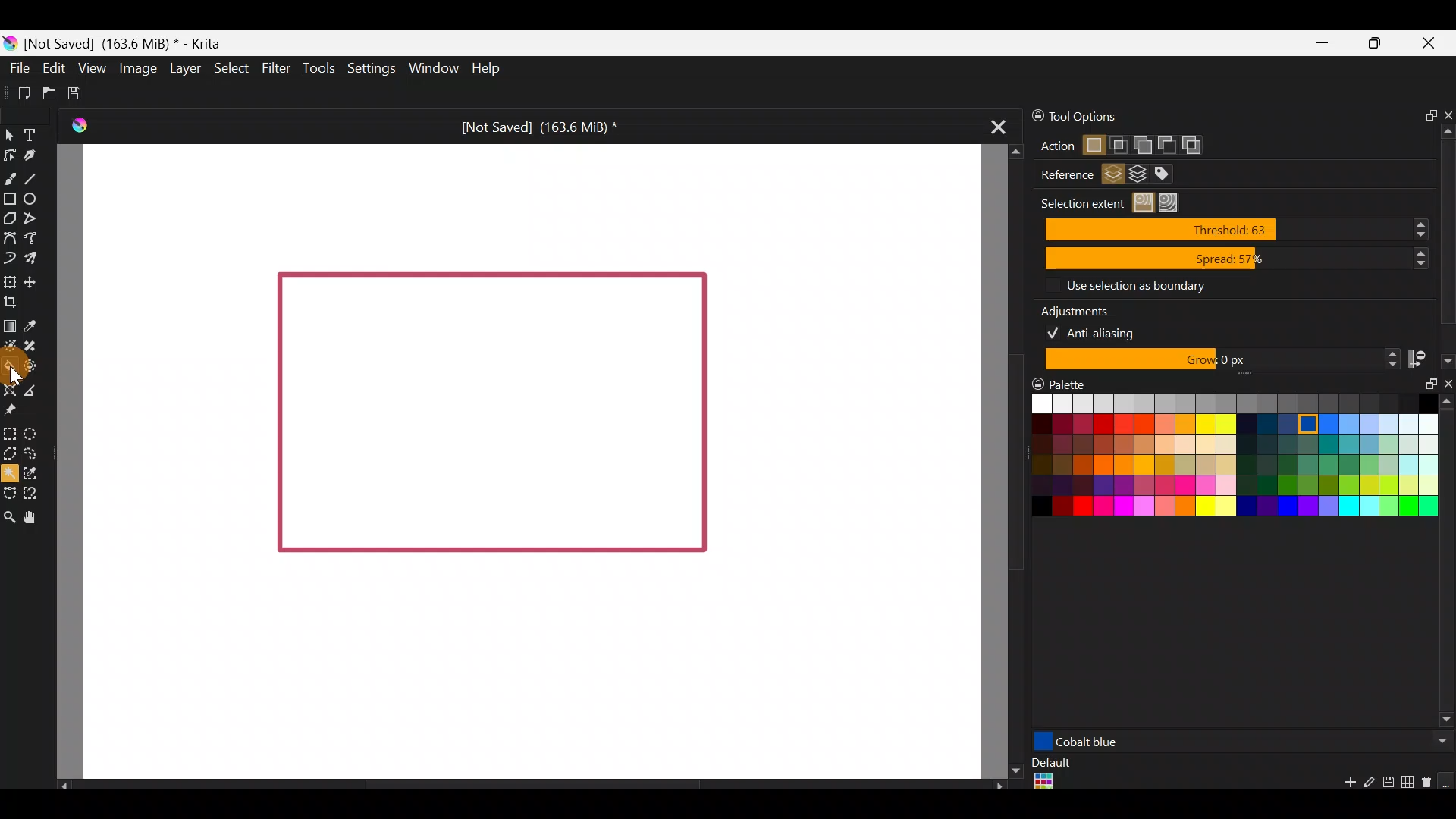  Describe the element at coordinates (40, 388) in the screenshot. I see `Measure the distance between two points` at that location.